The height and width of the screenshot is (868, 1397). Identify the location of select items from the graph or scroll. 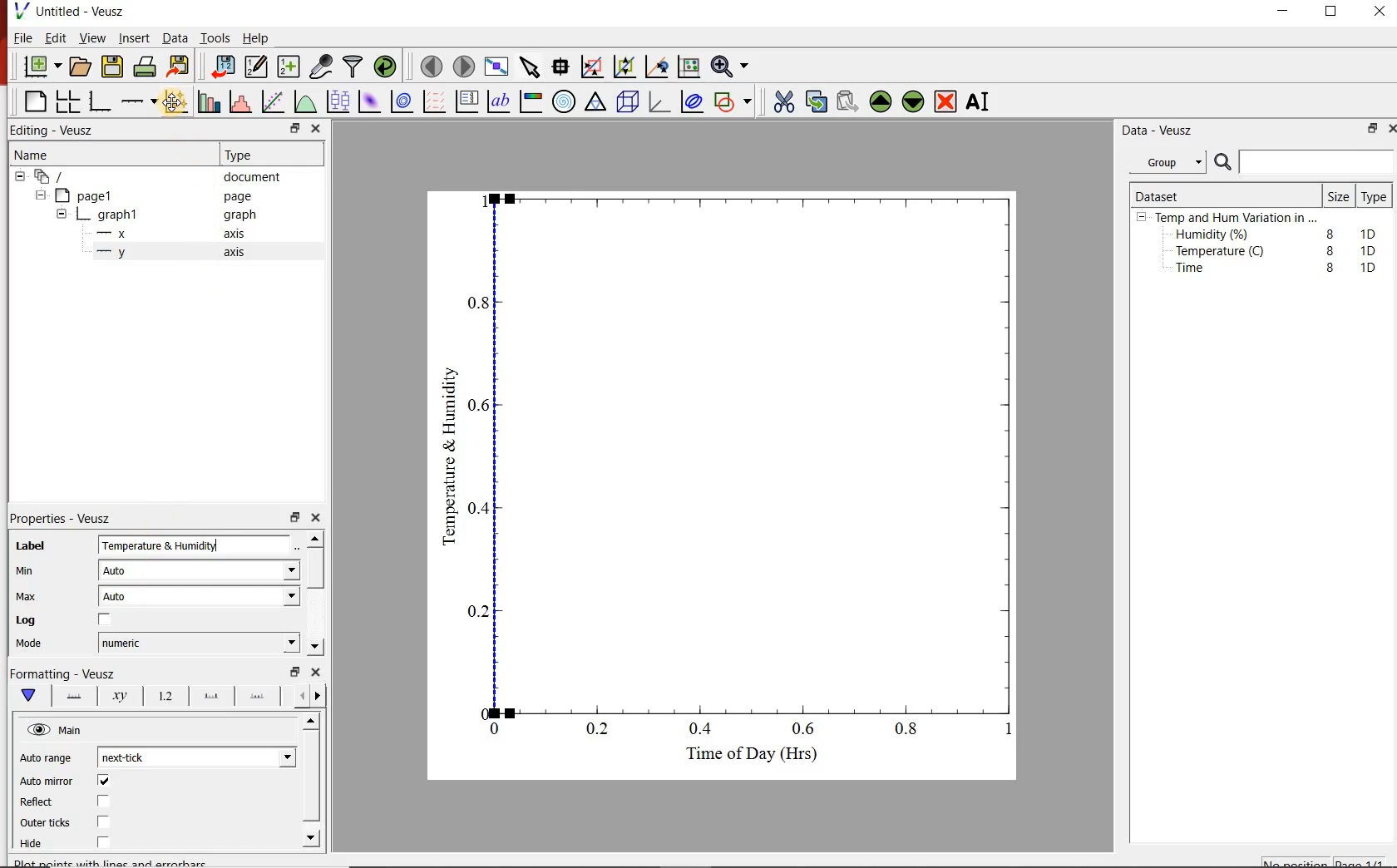
(531, 69).